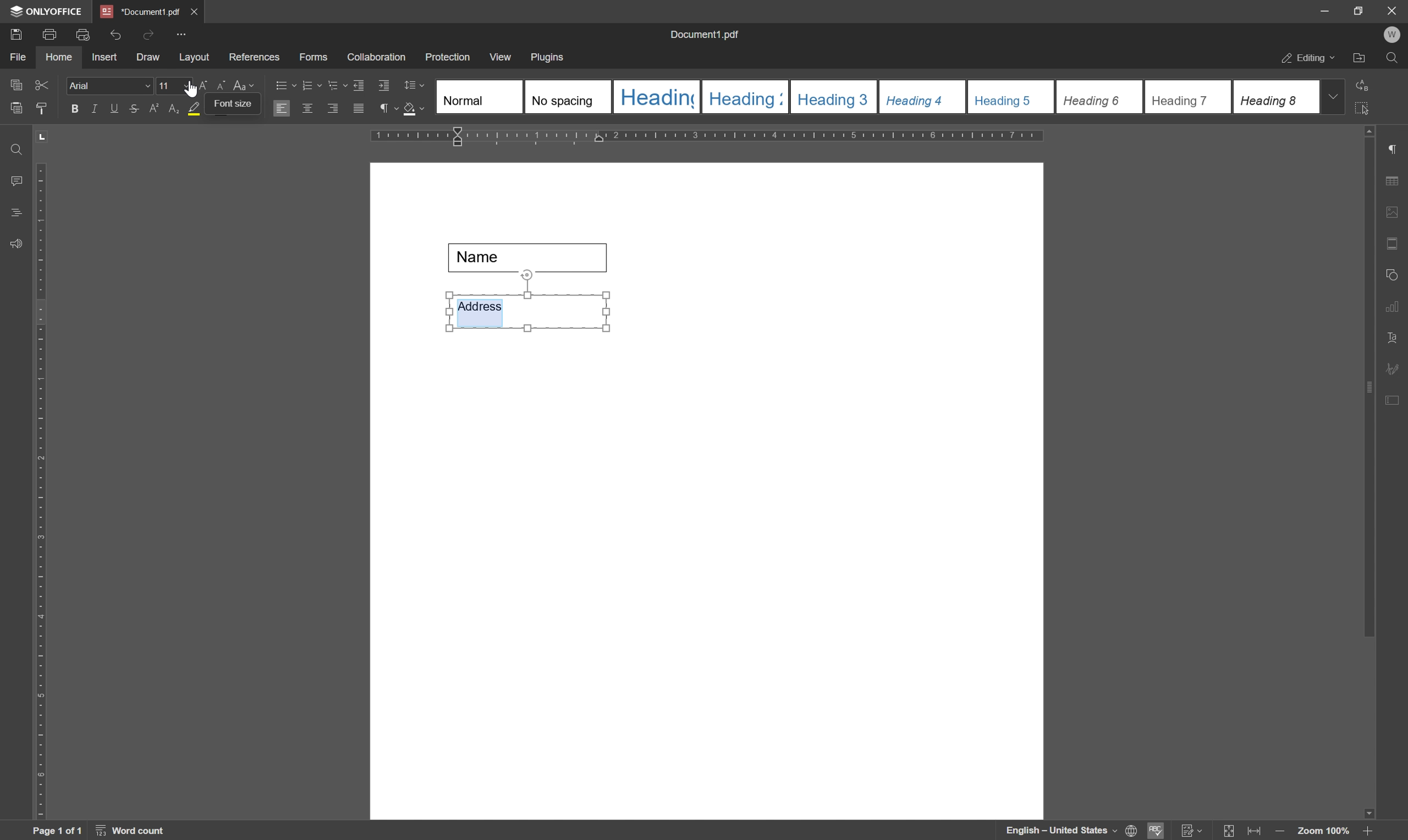  Describe the element at coordinates (1398, 149) in the screenshot. I see `paragraph settings` at that location.